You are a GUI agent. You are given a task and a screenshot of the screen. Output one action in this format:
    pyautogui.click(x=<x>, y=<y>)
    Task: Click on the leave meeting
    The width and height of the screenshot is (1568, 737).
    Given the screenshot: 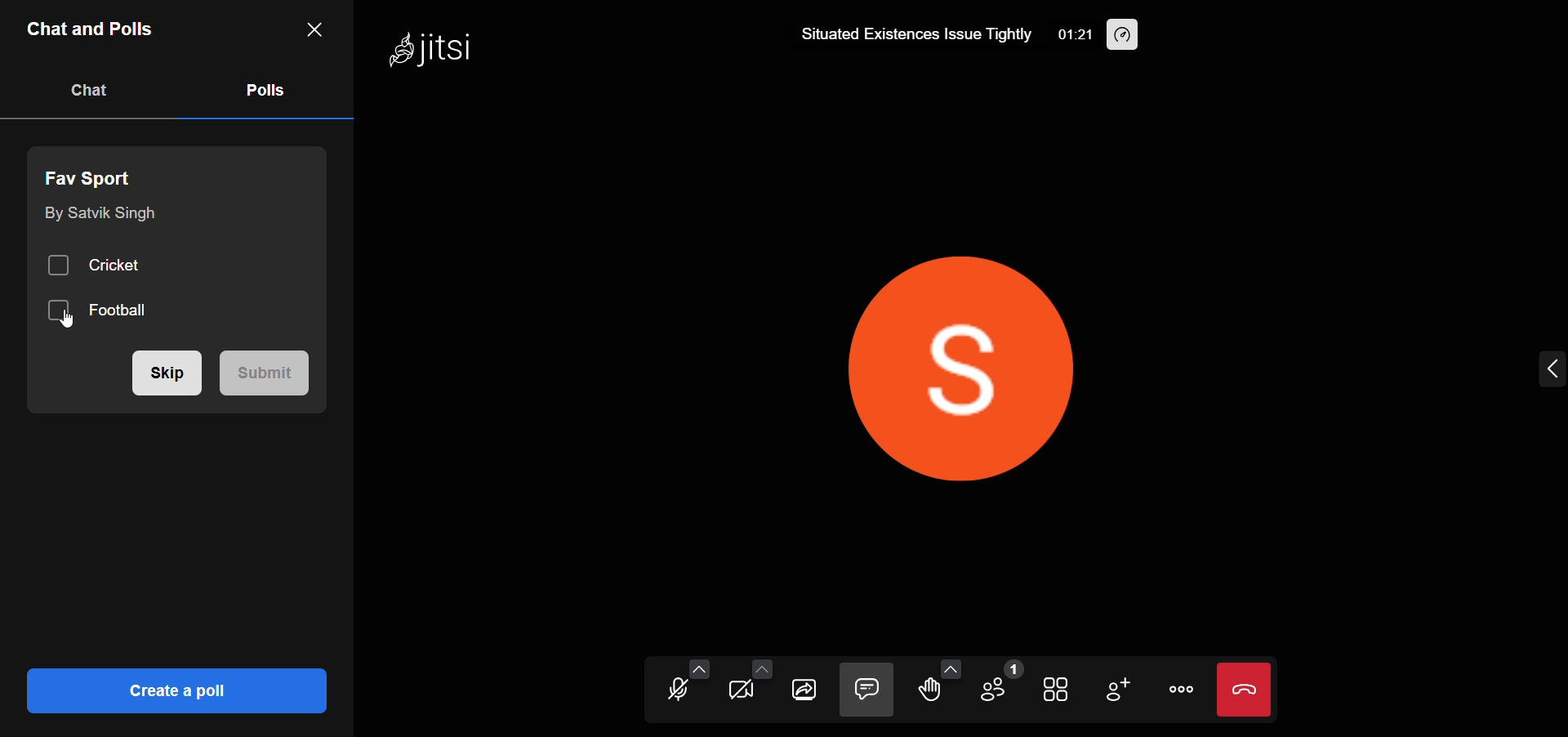 What is the action you would take?
    pyautogui.click(x=1248, y=689)
    